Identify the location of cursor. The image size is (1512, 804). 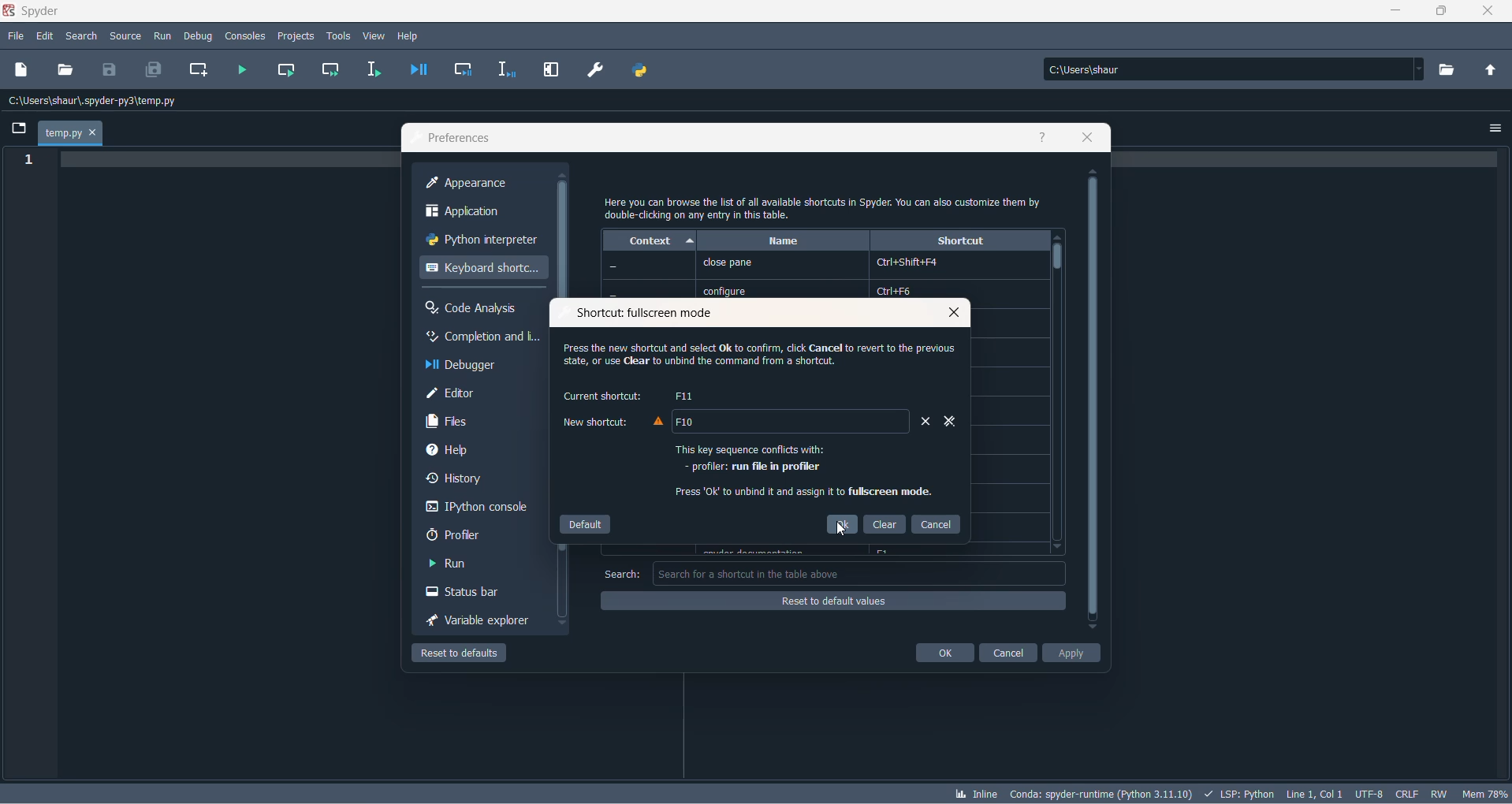
(896, 326).